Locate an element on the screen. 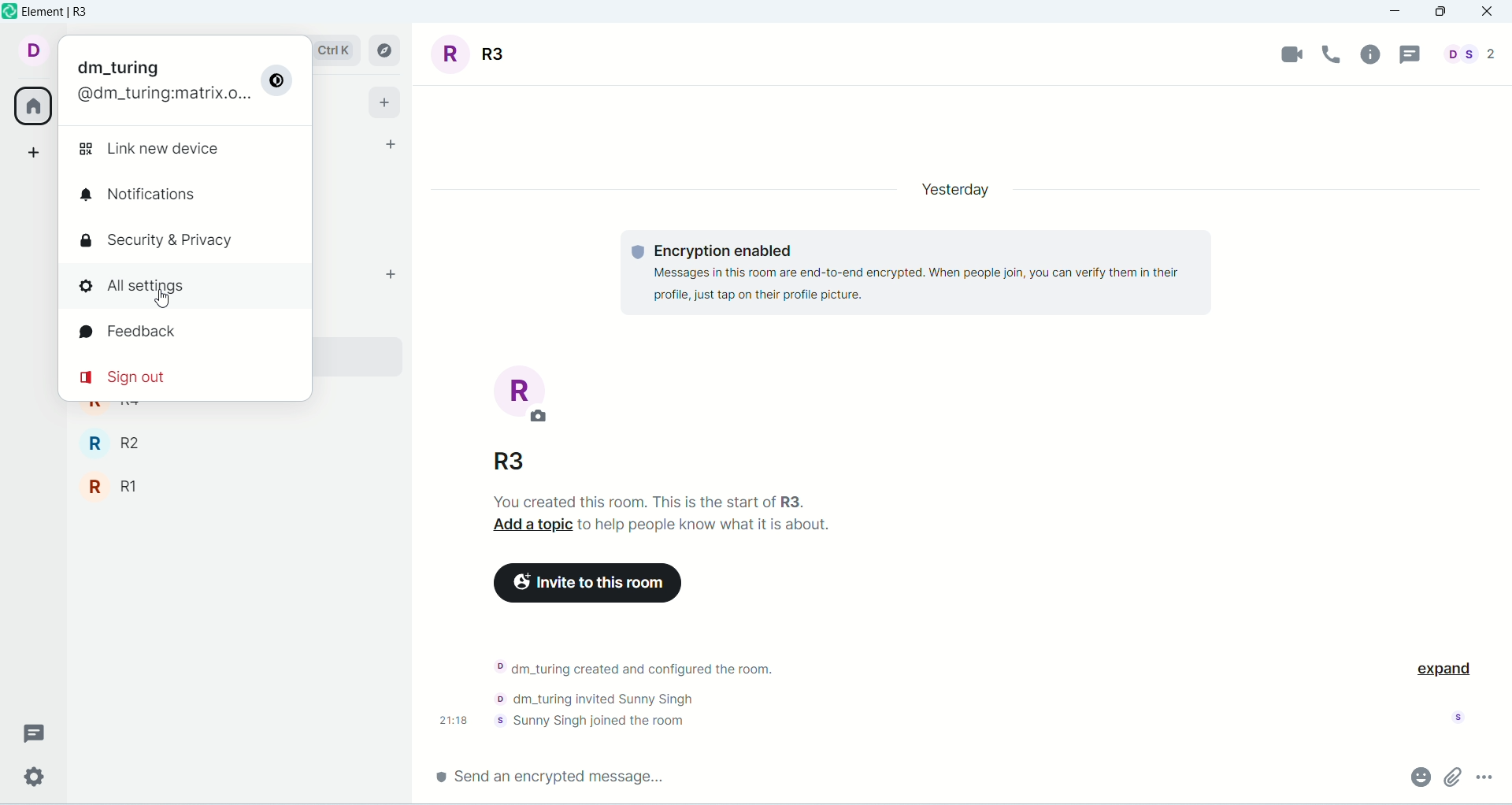 This screenshot has width=1512, height=805. day is located at coordinates (951, 191).